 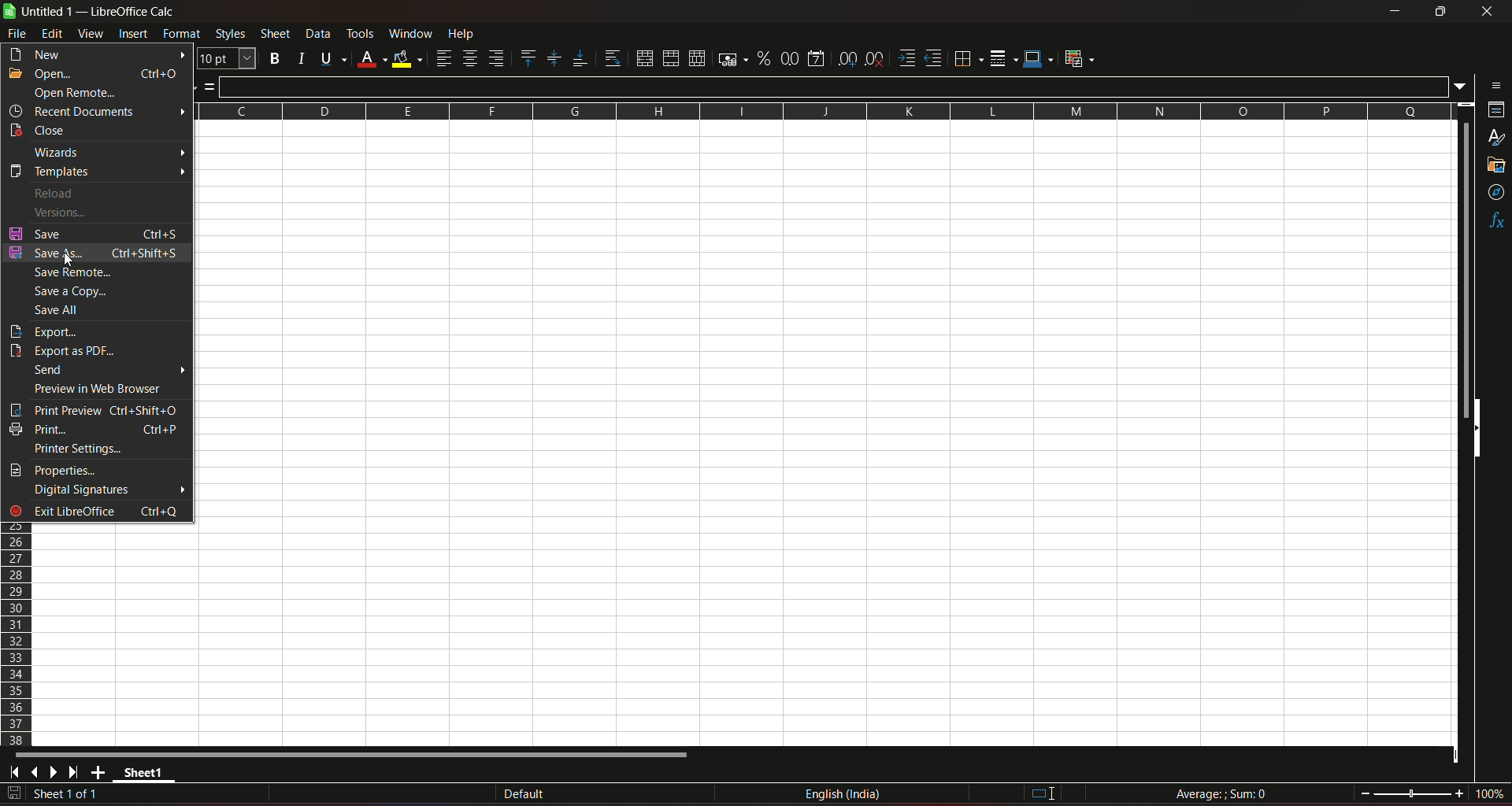 I want to click on properties, so click(x=57, y=471).